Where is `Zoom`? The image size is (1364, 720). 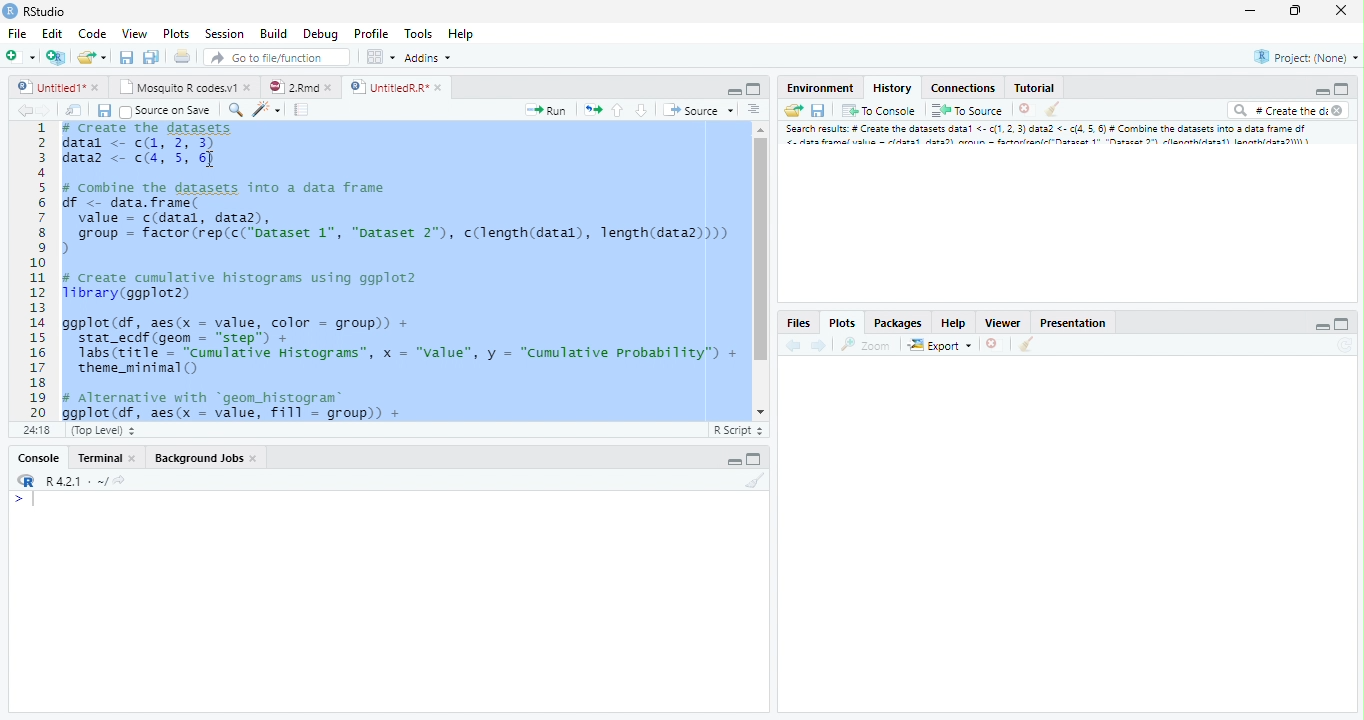 Zoom is located at coordinates (864, 346).